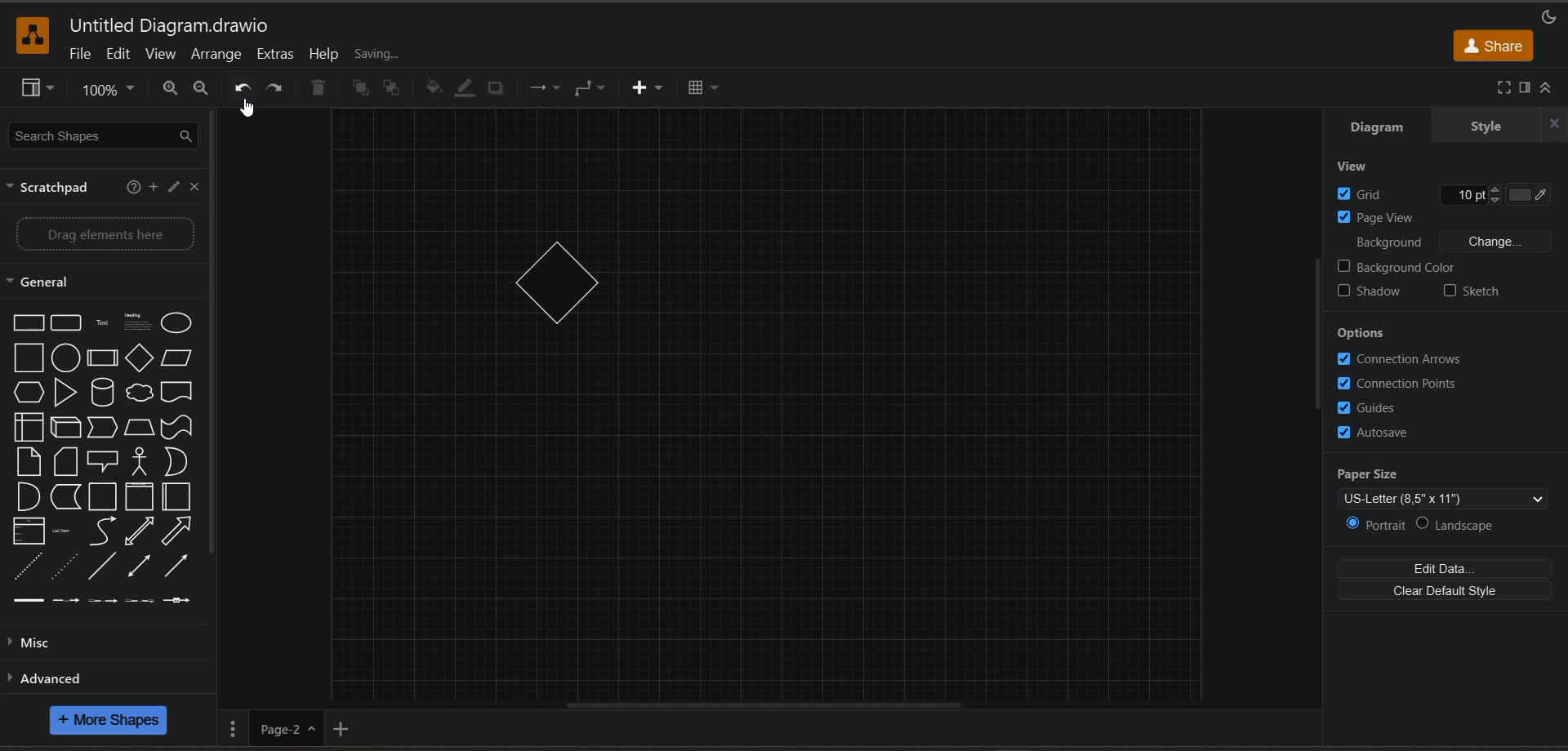 The width and height of the screenshot is (1568, 751). Describe the element at coordinates (157, 188) in the screenshot. I see `add` at that location.